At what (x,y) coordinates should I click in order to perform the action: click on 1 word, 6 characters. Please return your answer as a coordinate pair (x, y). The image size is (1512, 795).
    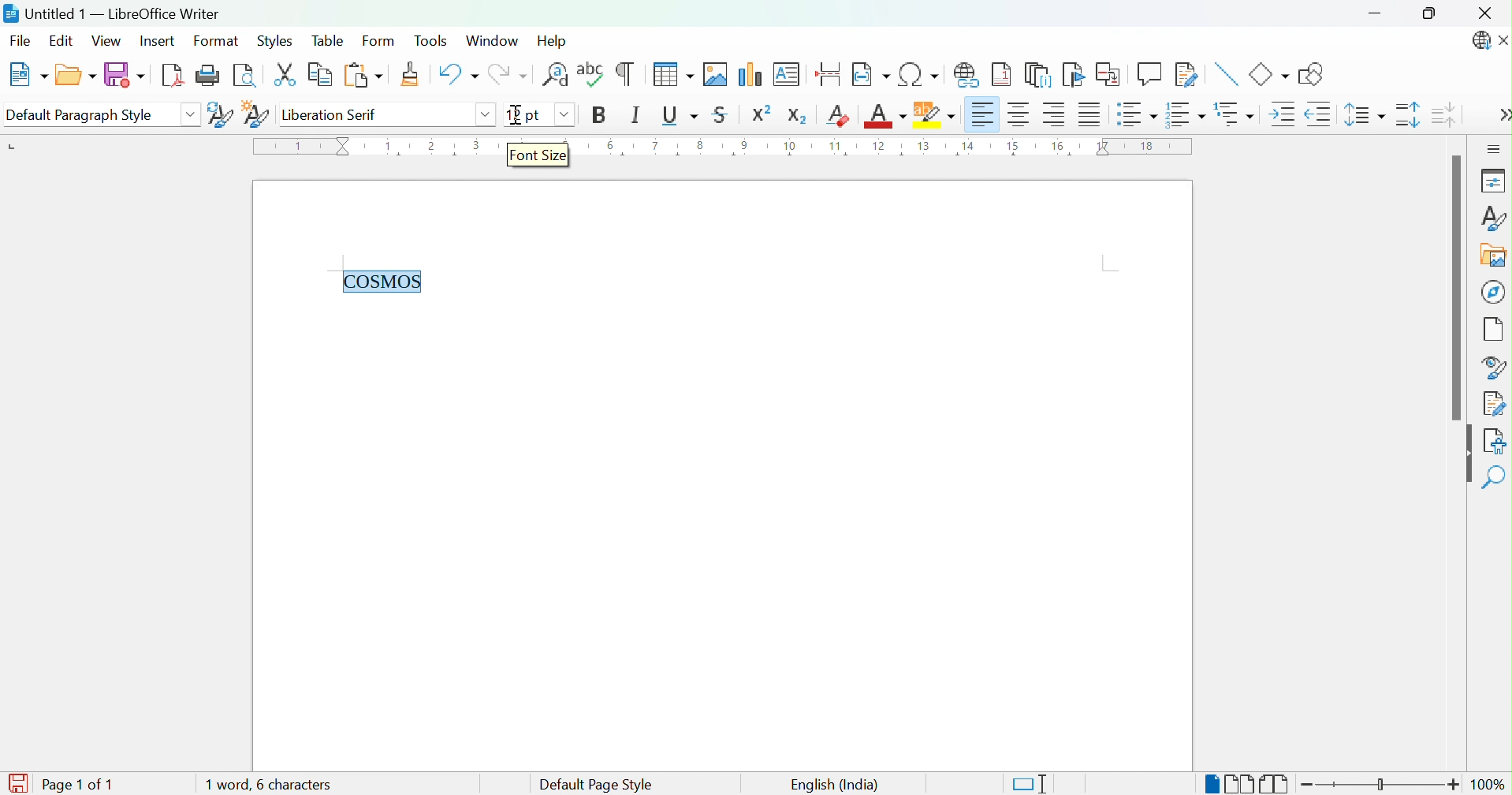
    Looking at the image, I should click on (293, 785).